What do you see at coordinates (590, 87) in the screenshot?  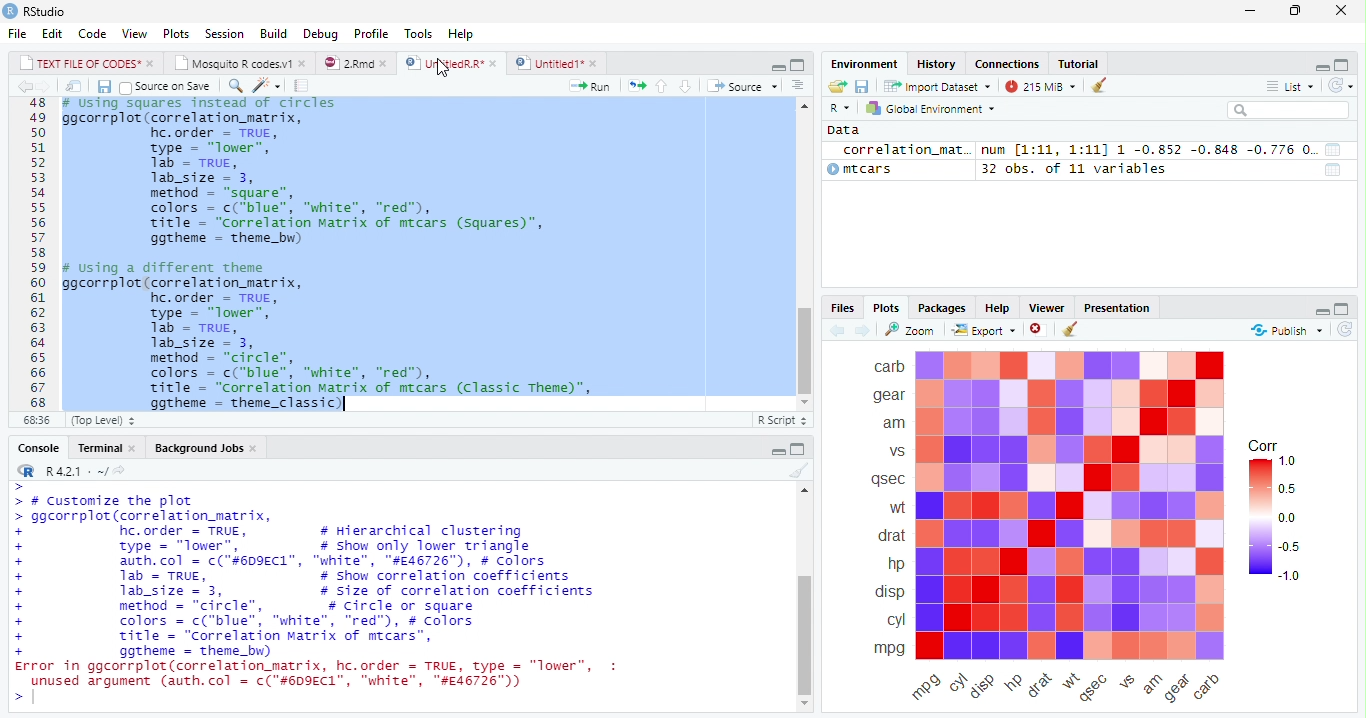 I see ` Run` at bounding box center [590, 87].